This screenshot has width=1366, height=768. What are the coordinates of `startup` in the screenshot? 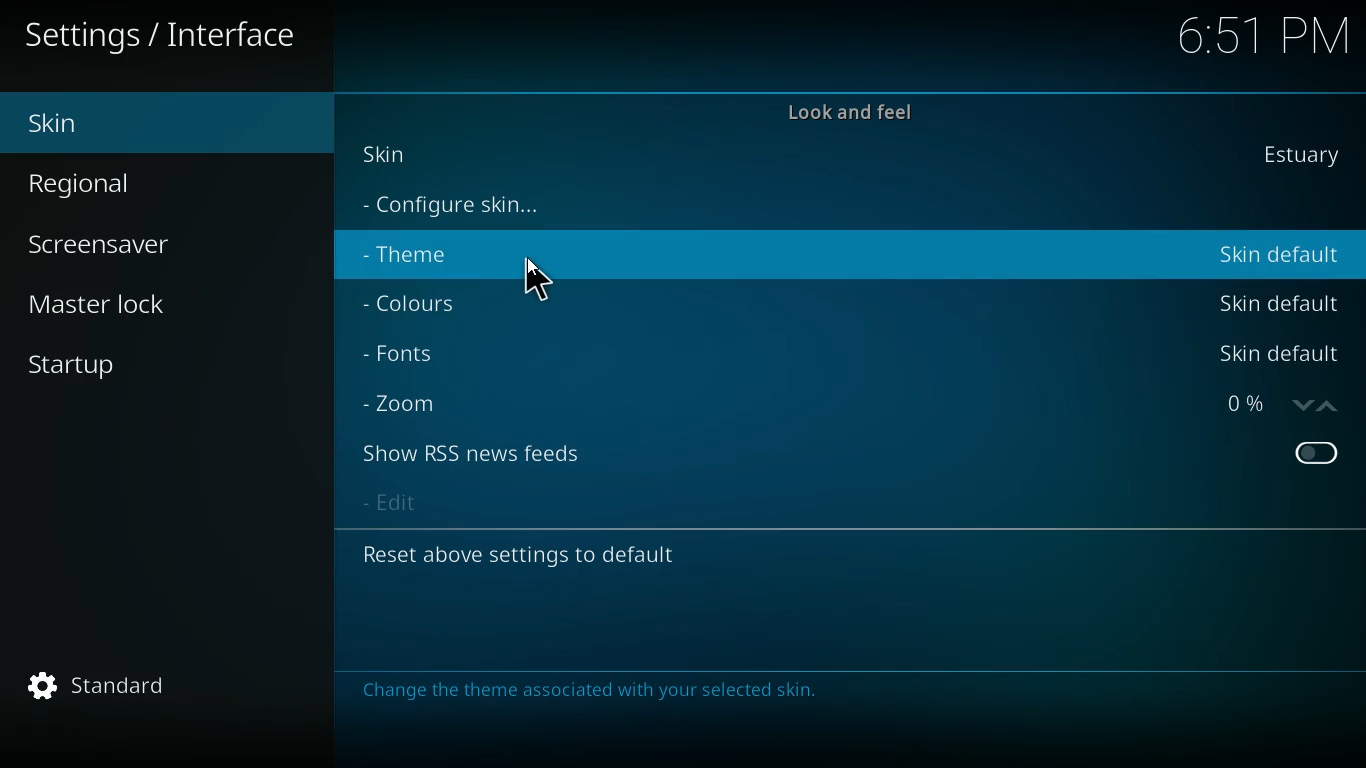 It's located at (137, 358).